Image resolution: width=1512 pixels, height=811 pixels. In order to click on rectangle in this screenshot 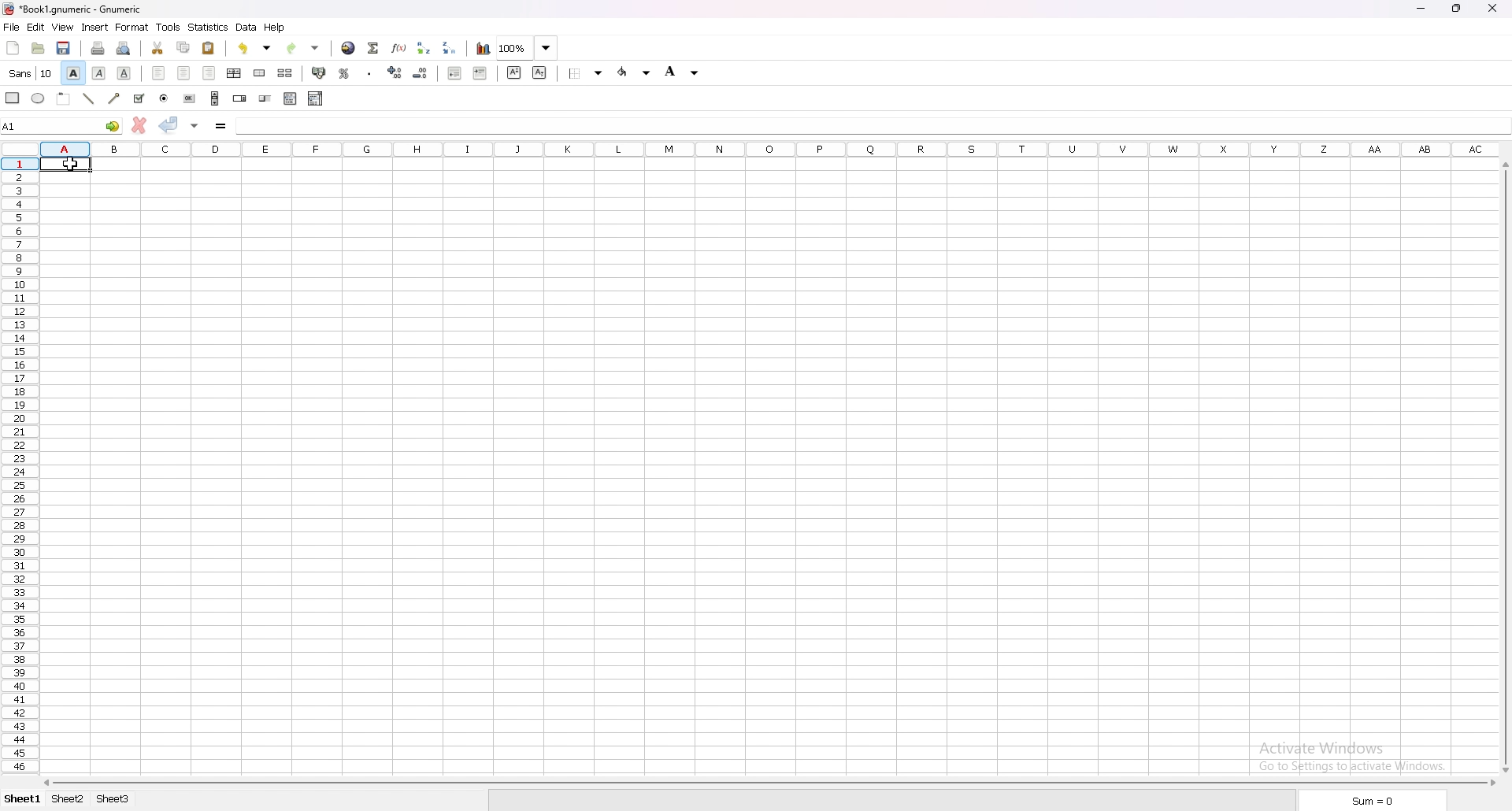, I will do `click(13, 98)`.